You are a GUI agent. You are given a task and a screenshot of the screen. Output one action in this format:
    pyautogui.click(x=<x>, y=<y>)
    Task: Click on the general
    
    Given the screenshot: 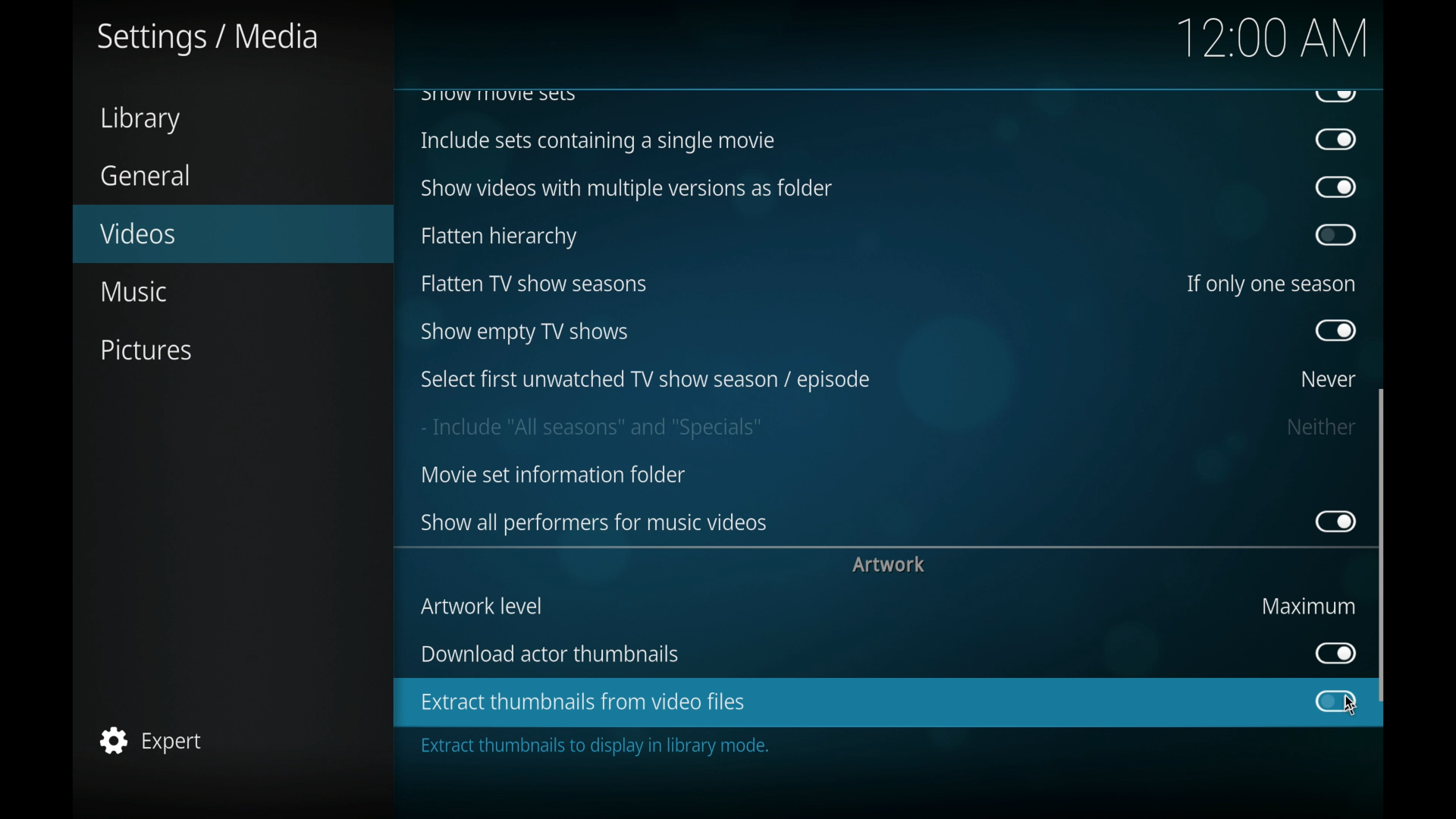 What is the action you would take?
    pyautogui.click(x=146, y=175)
    